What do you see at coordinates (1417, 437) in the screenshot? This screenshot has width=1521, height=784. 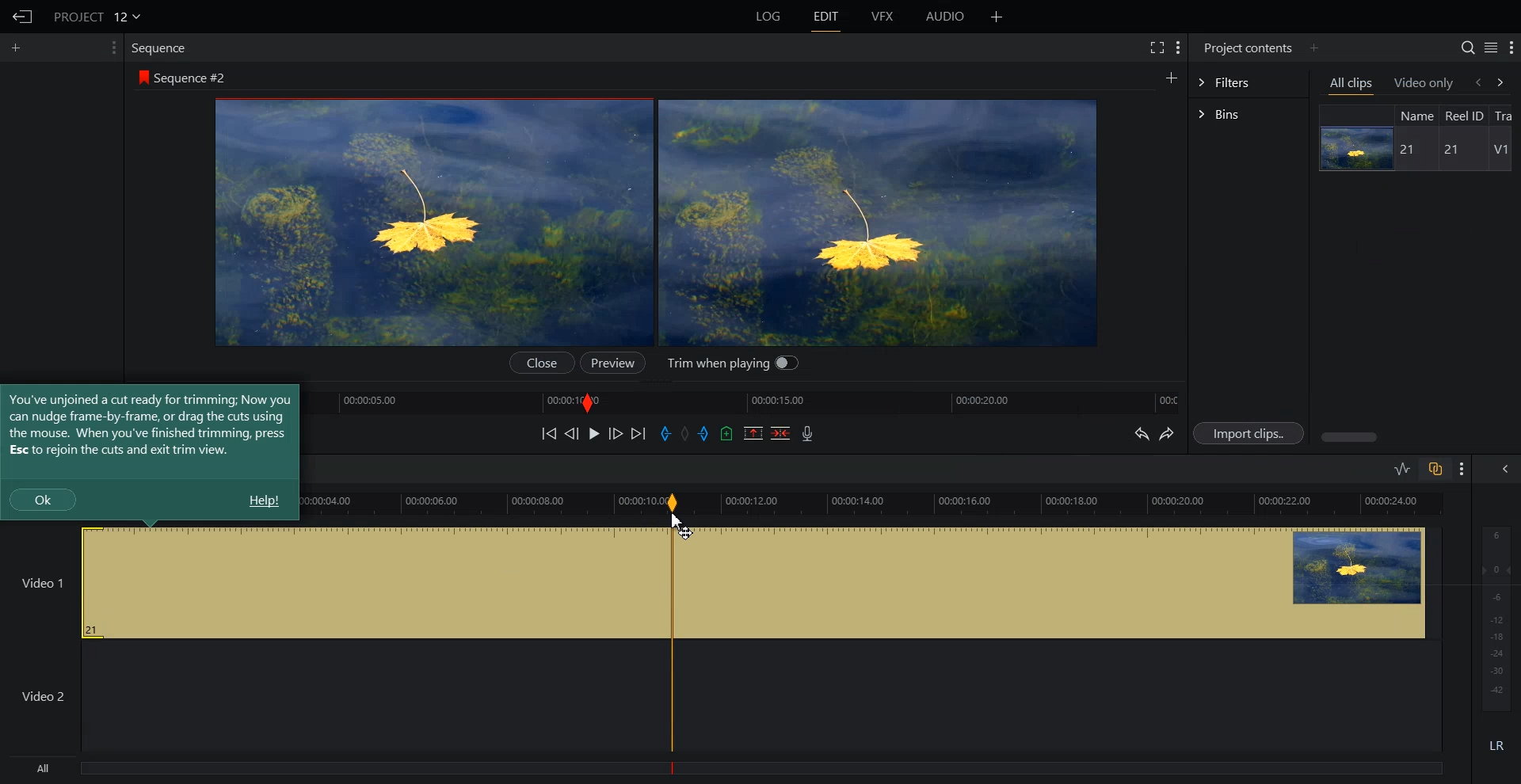 I see `Horizontal Scroll bar` at bounding box center [1417, 437].